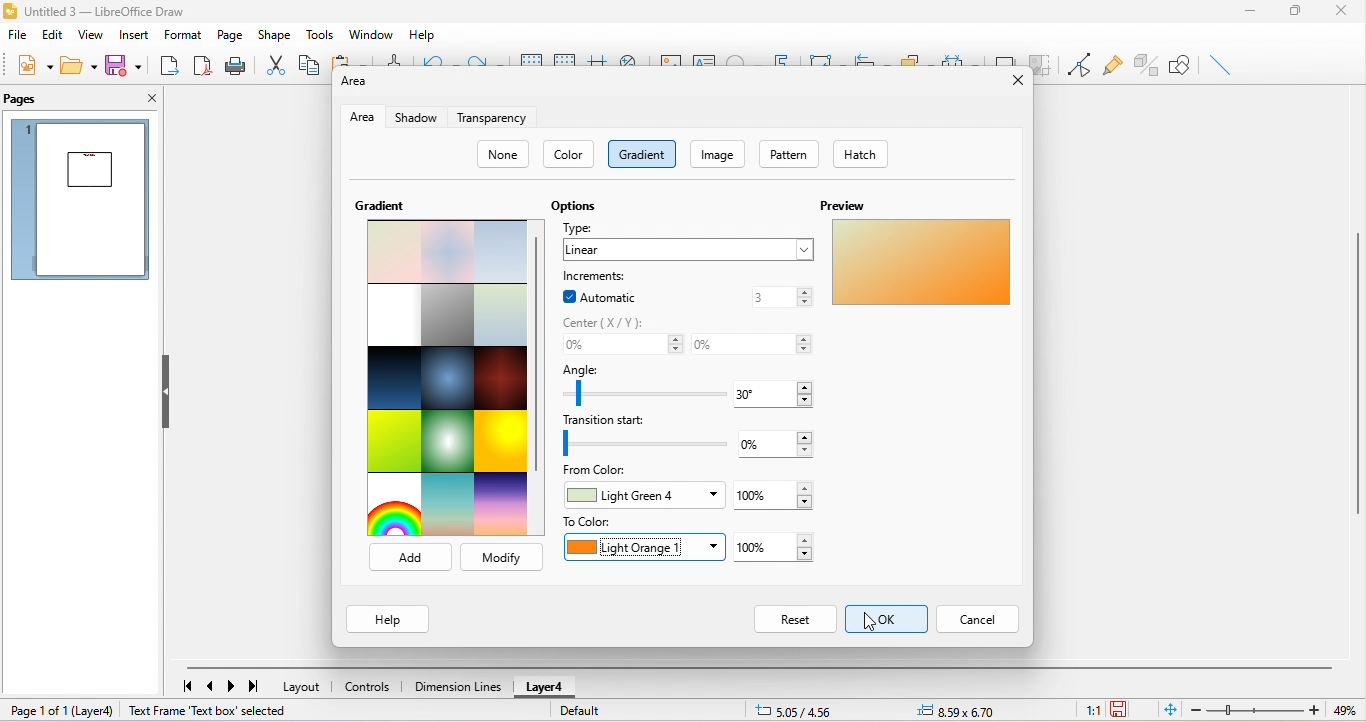 This screenshot has width=1366, height=722. What do you see at coordinates (170, 65) in the screenshot?
I see `export` at bounding box center [170, 65].